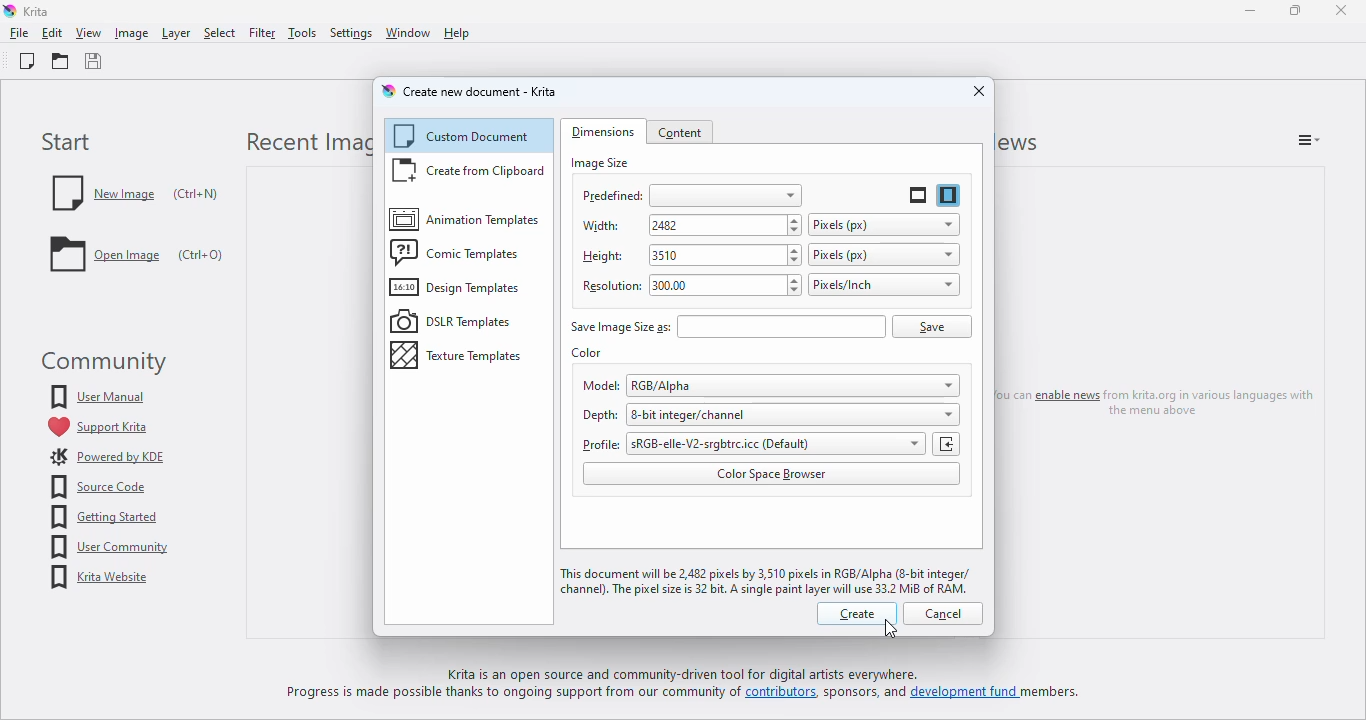 Image resolution: width=1366 pixels, height=720 pixels. What do you see at coordinates (457, 252) in the screenshot?
I see `comic templates` at bounding box center [457, 252].